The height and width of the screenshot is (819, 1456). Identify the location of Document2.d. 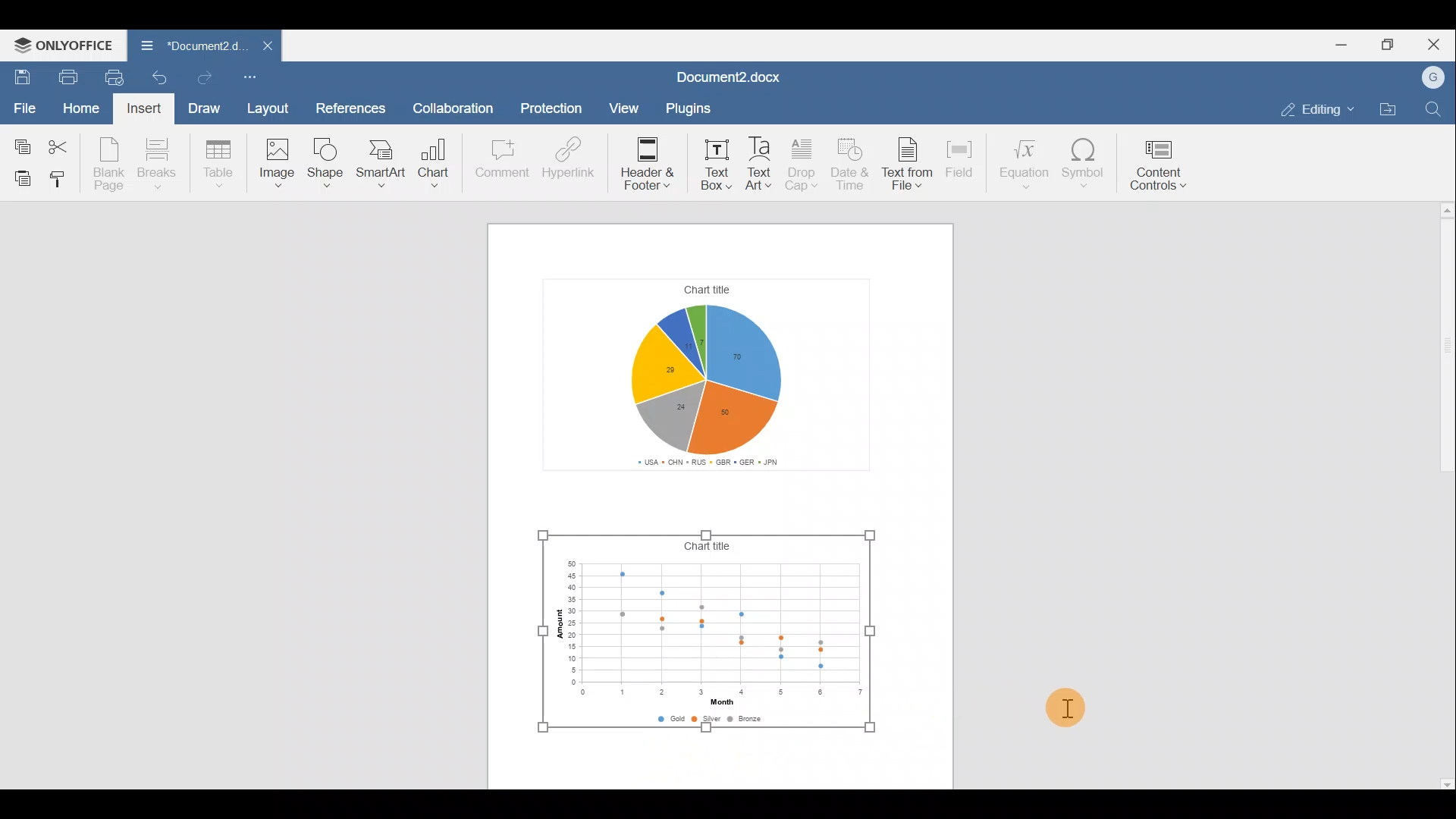
(188, 46).